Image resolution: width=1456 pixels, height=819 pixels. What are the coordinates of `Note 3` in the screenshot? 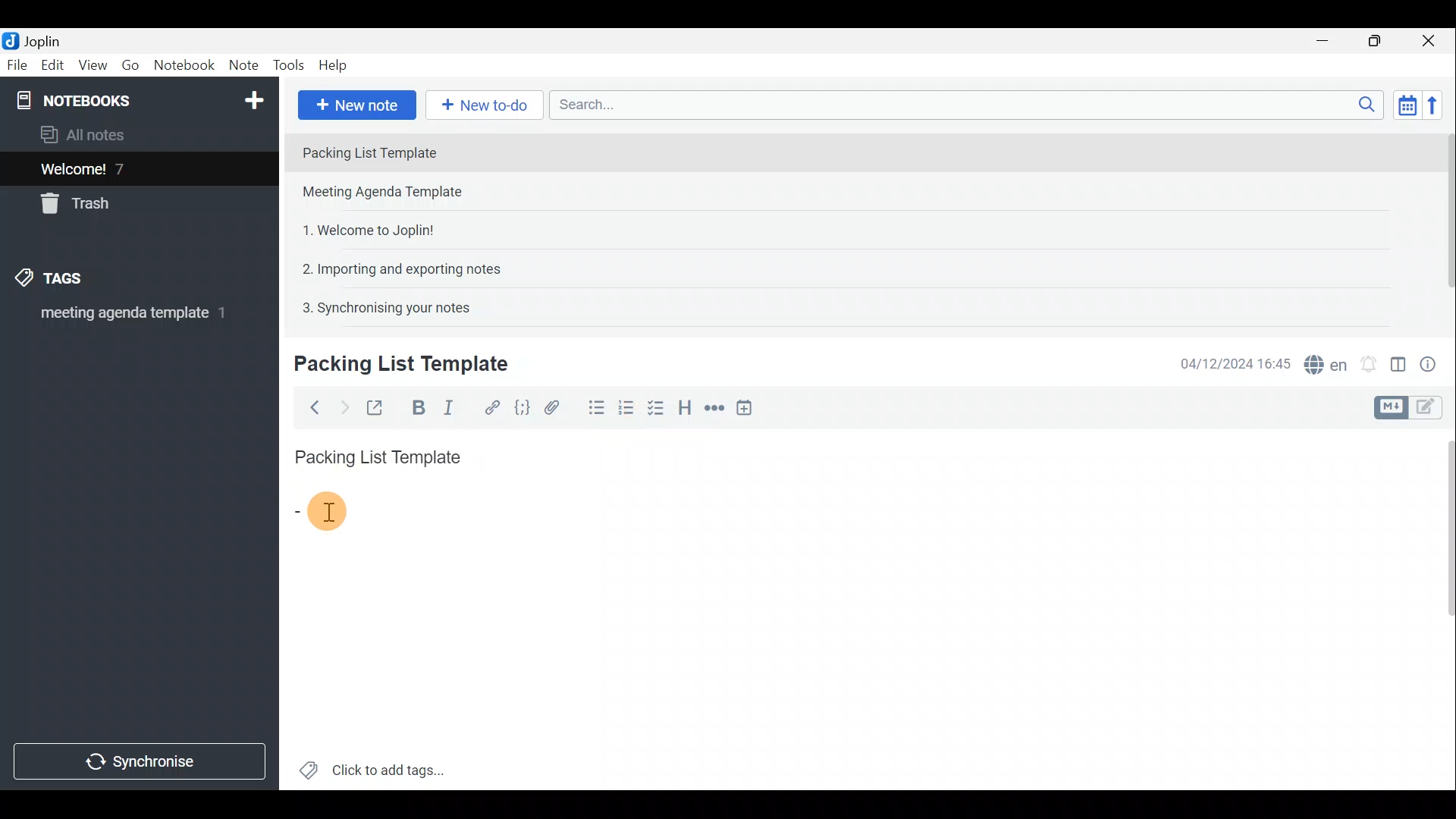 It's located at (362, 228).